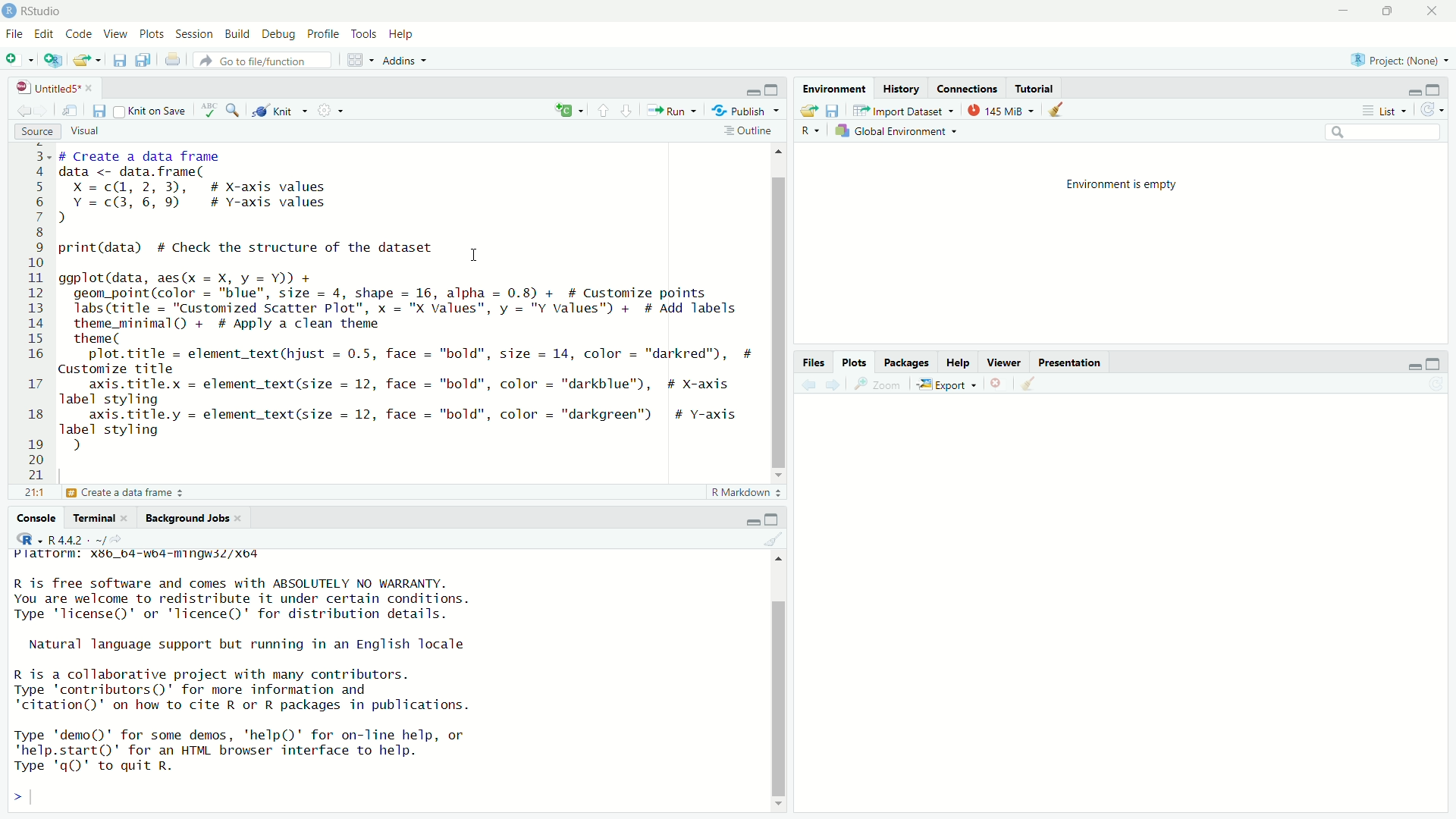 Image resolution: width=1456 pixels, height=819 pixels. I want to click on debug, so click(237, 33).